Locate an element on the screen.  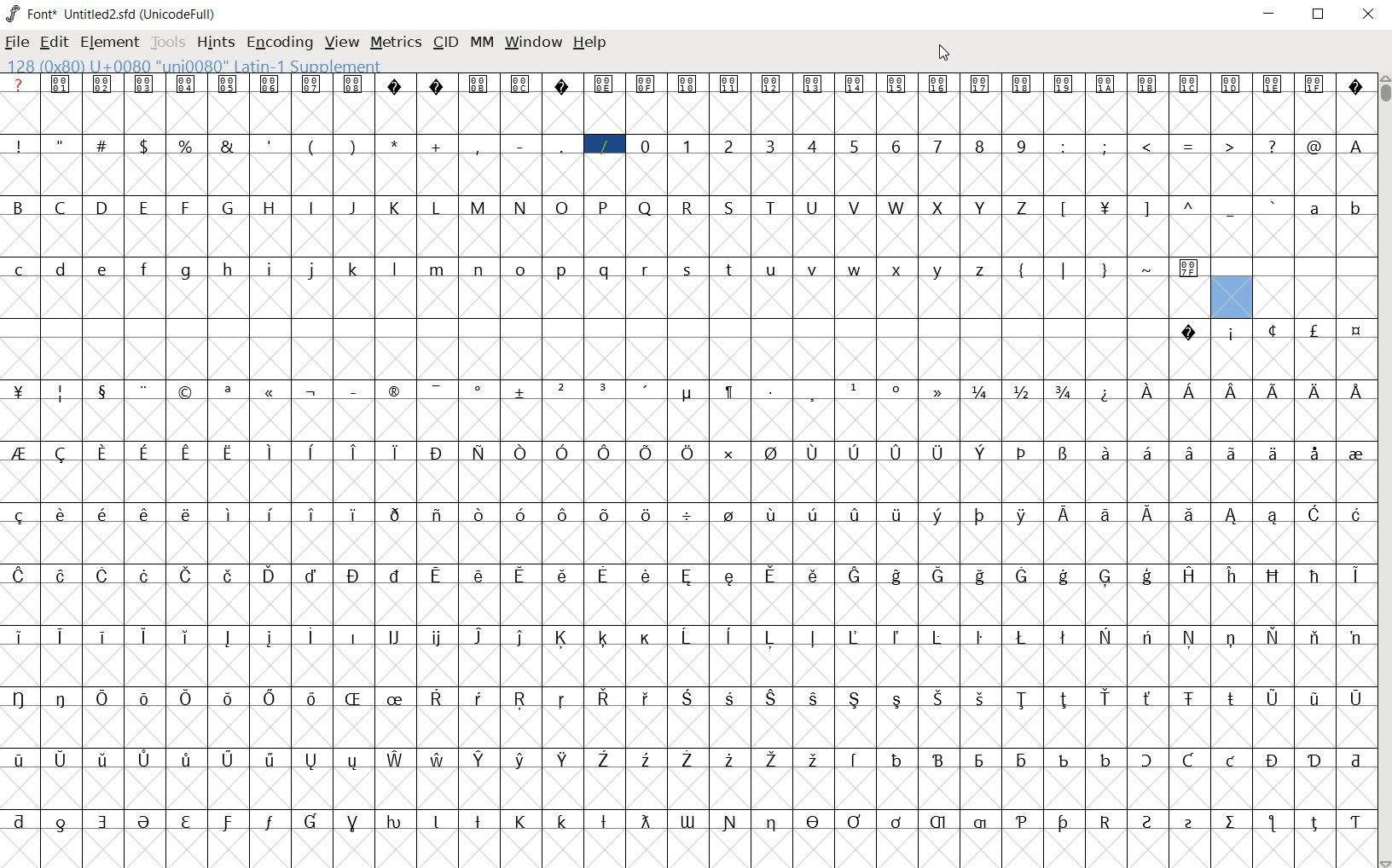
glyph is located at coordinates (1147, 84).